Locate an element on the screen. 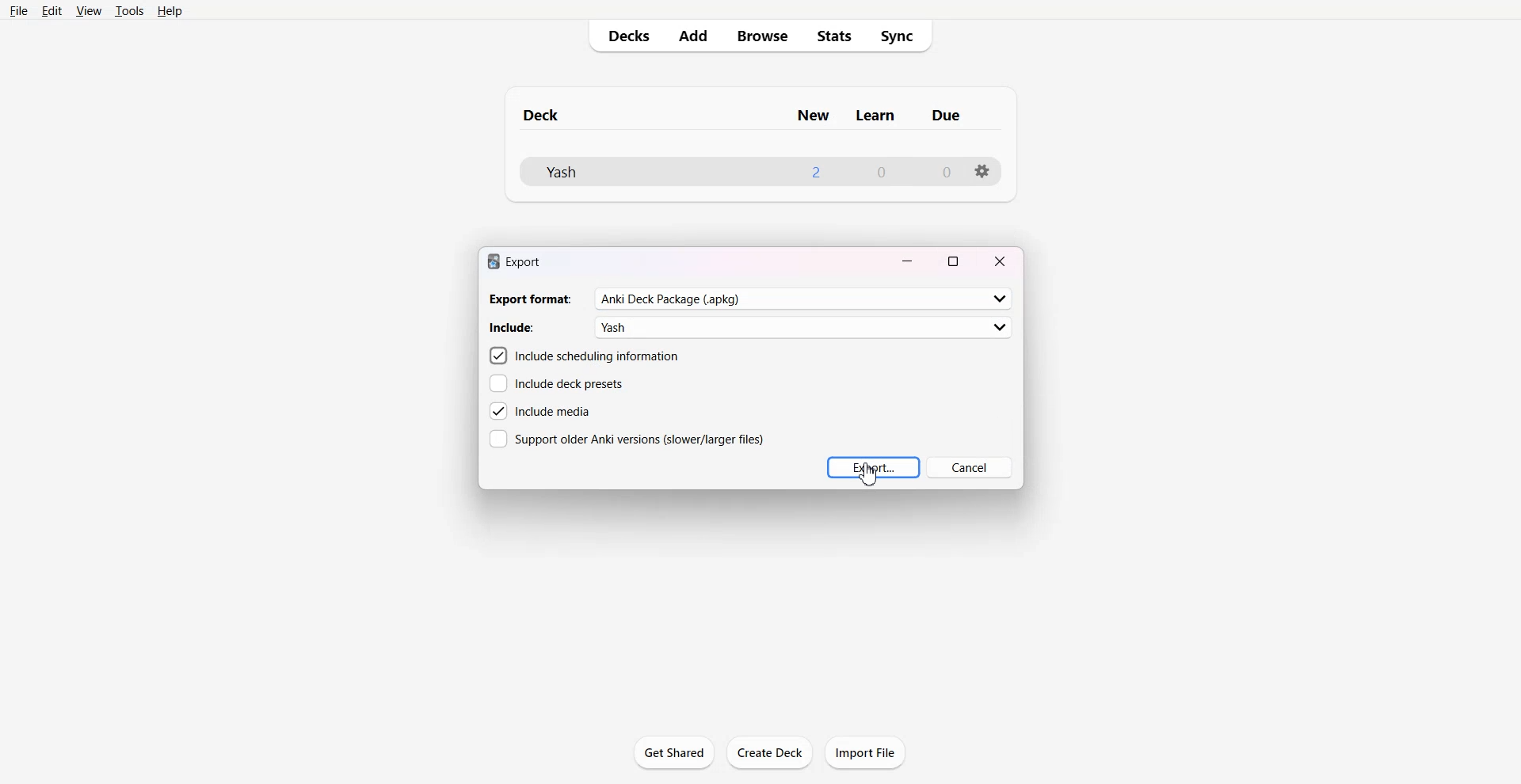 This screenshot has width=1521, height=784. Maximize is located at coordinates (954, 260).